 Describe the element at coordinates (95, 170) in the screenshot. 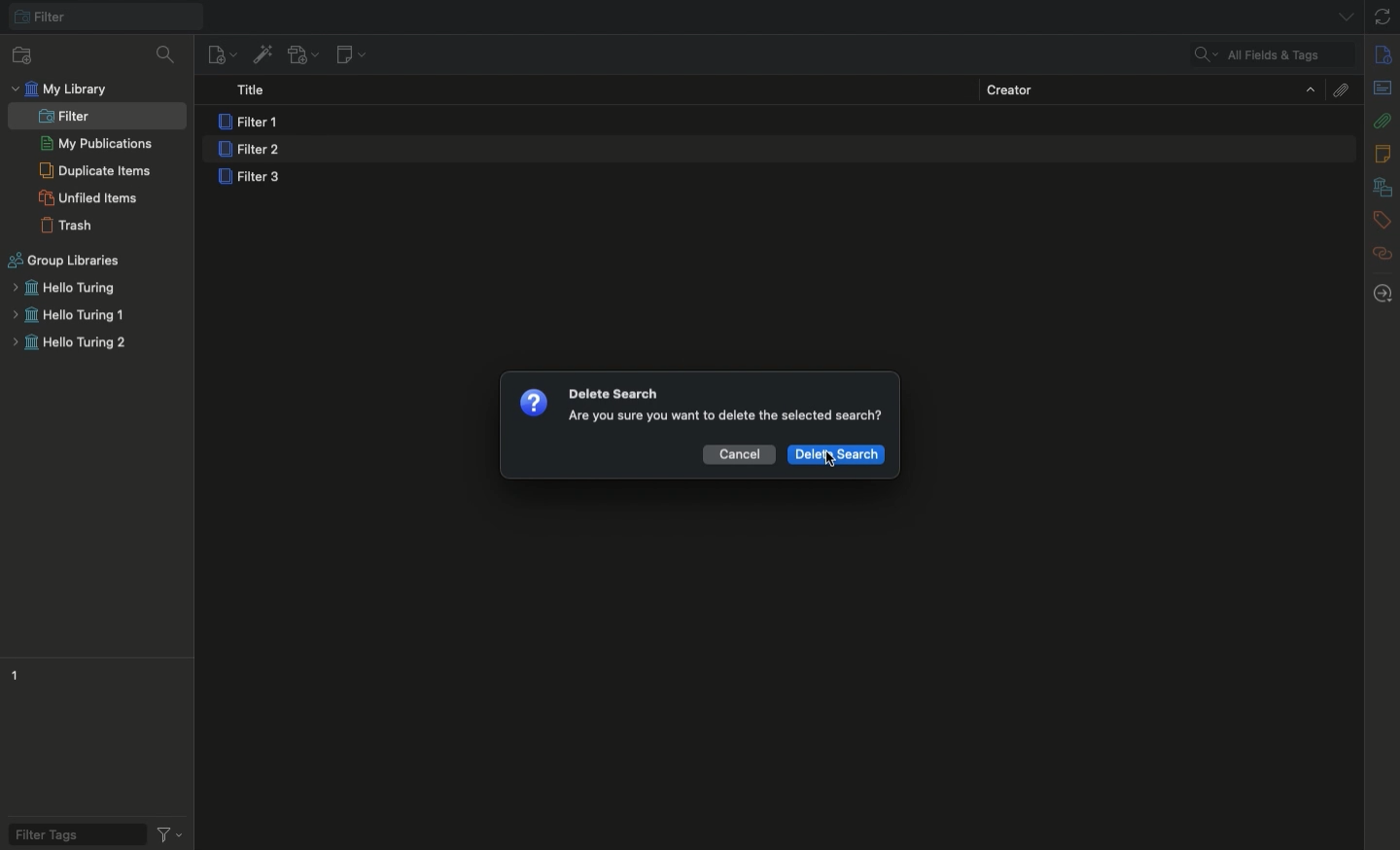

I see `Duplicate items` at that location.